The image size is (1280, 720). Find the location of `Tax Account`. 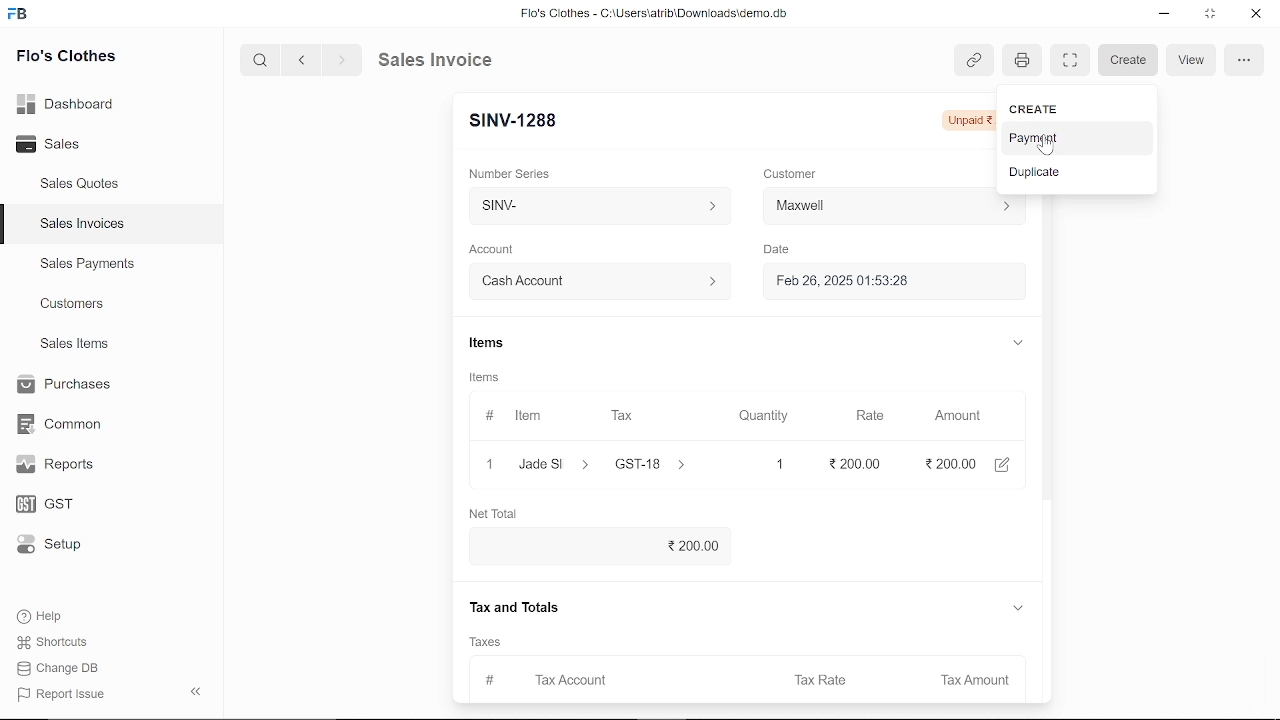

Tax Account is located at coordinates (601, 678).